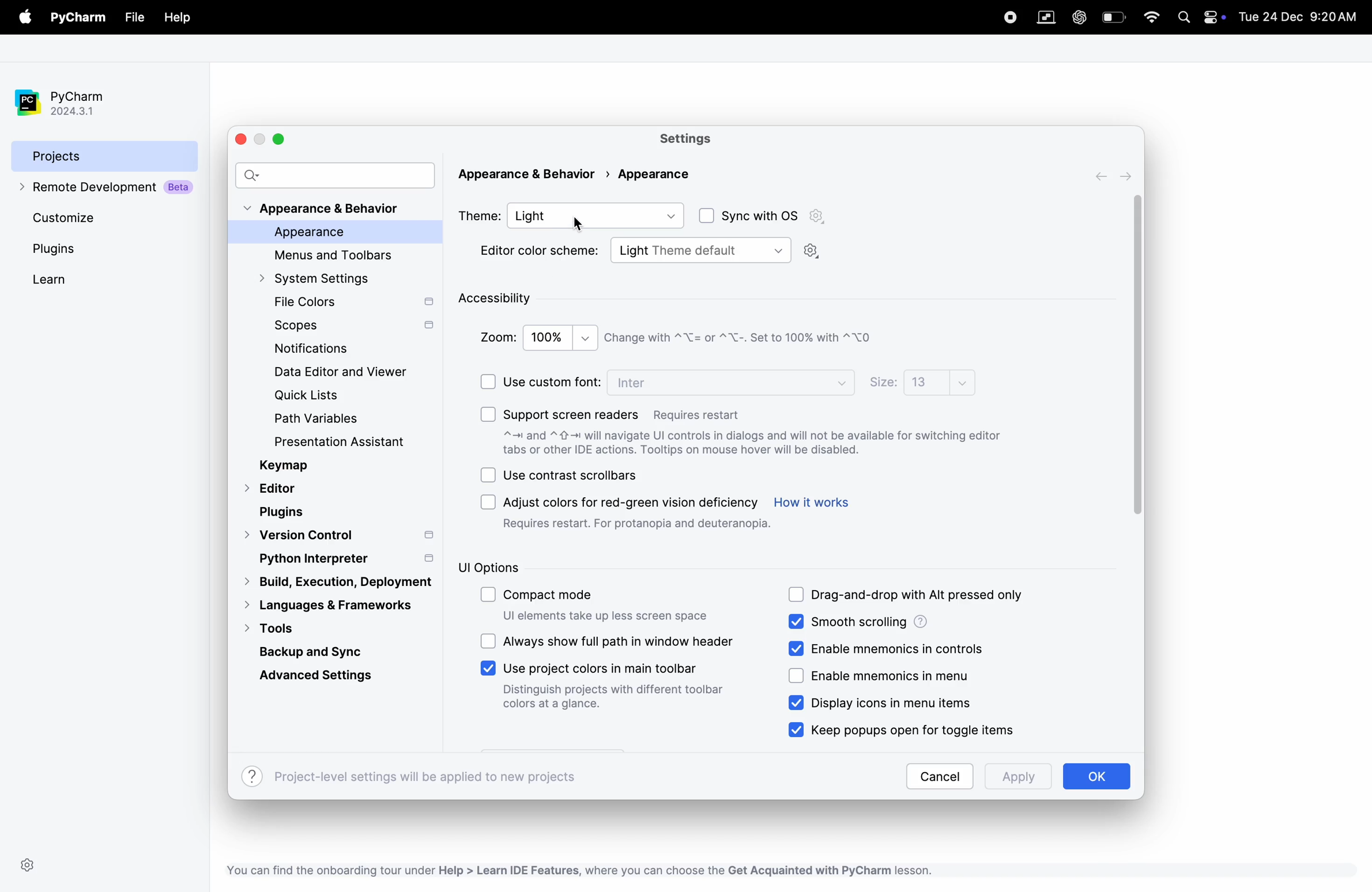  I want to click on projects, so click(105, 155).